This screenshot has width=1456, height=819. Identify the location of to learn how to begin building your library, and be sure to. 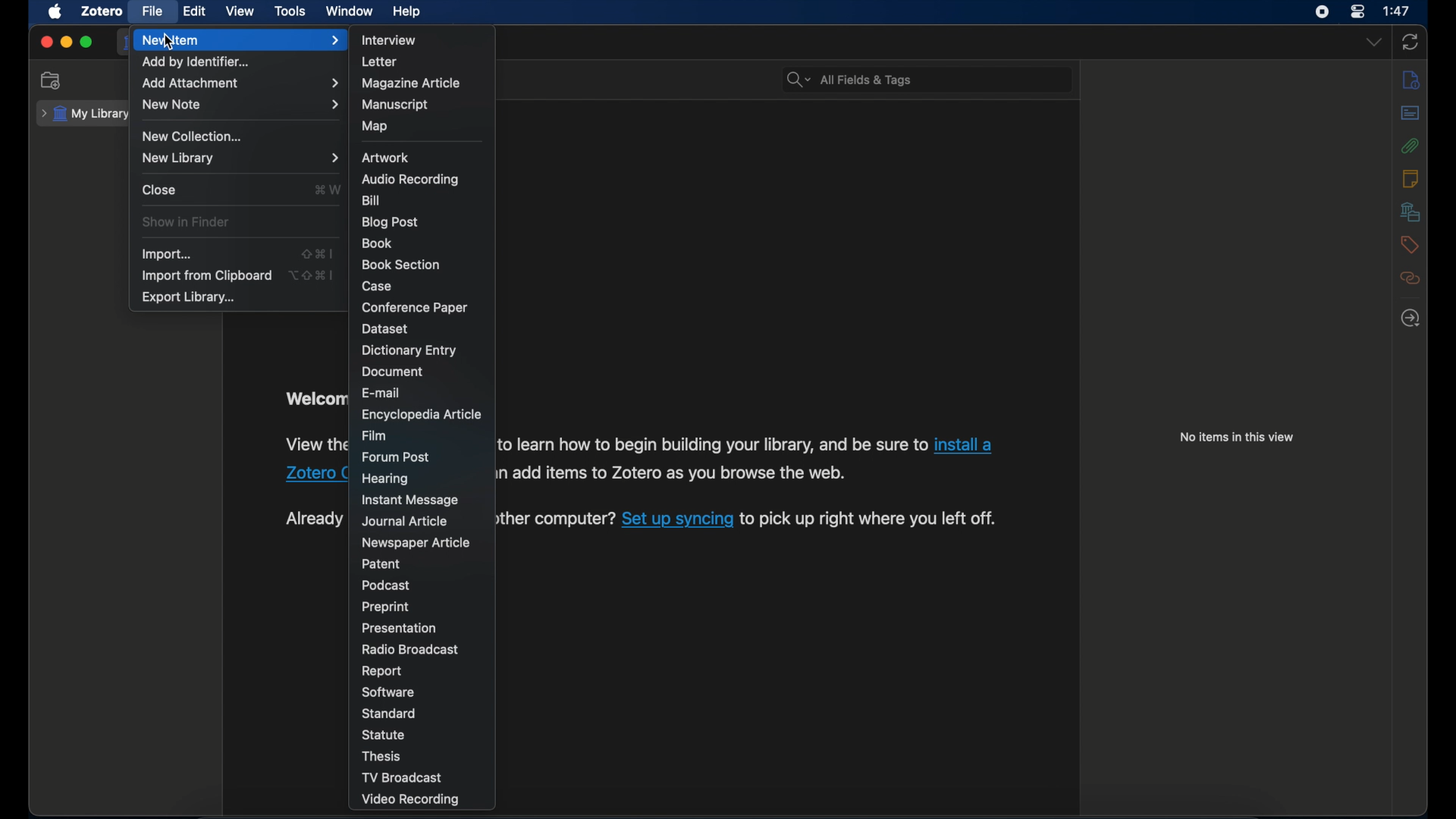
(713, 442).